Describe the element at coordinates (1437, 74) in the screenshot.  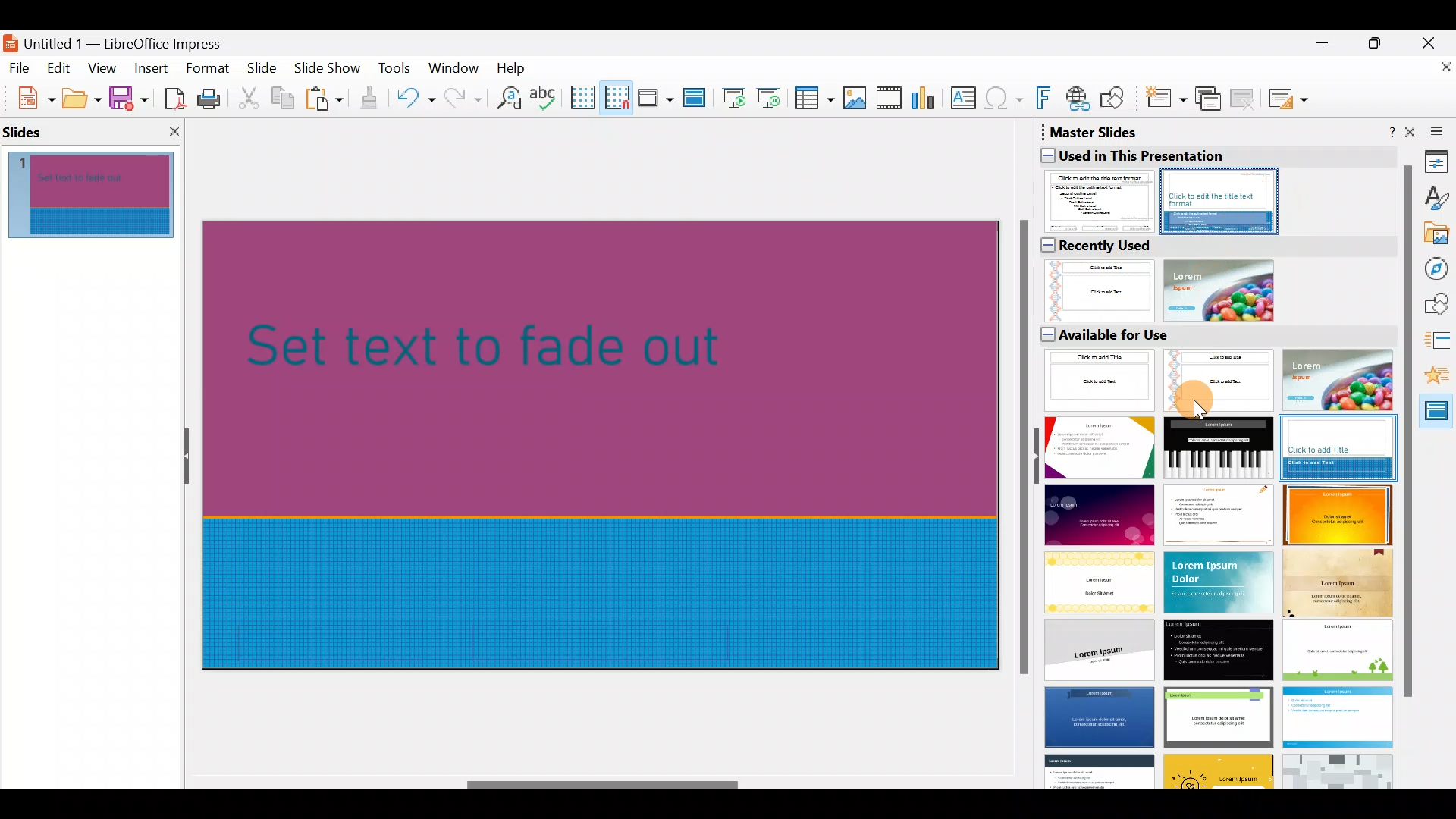
I see `Close document` at that location.